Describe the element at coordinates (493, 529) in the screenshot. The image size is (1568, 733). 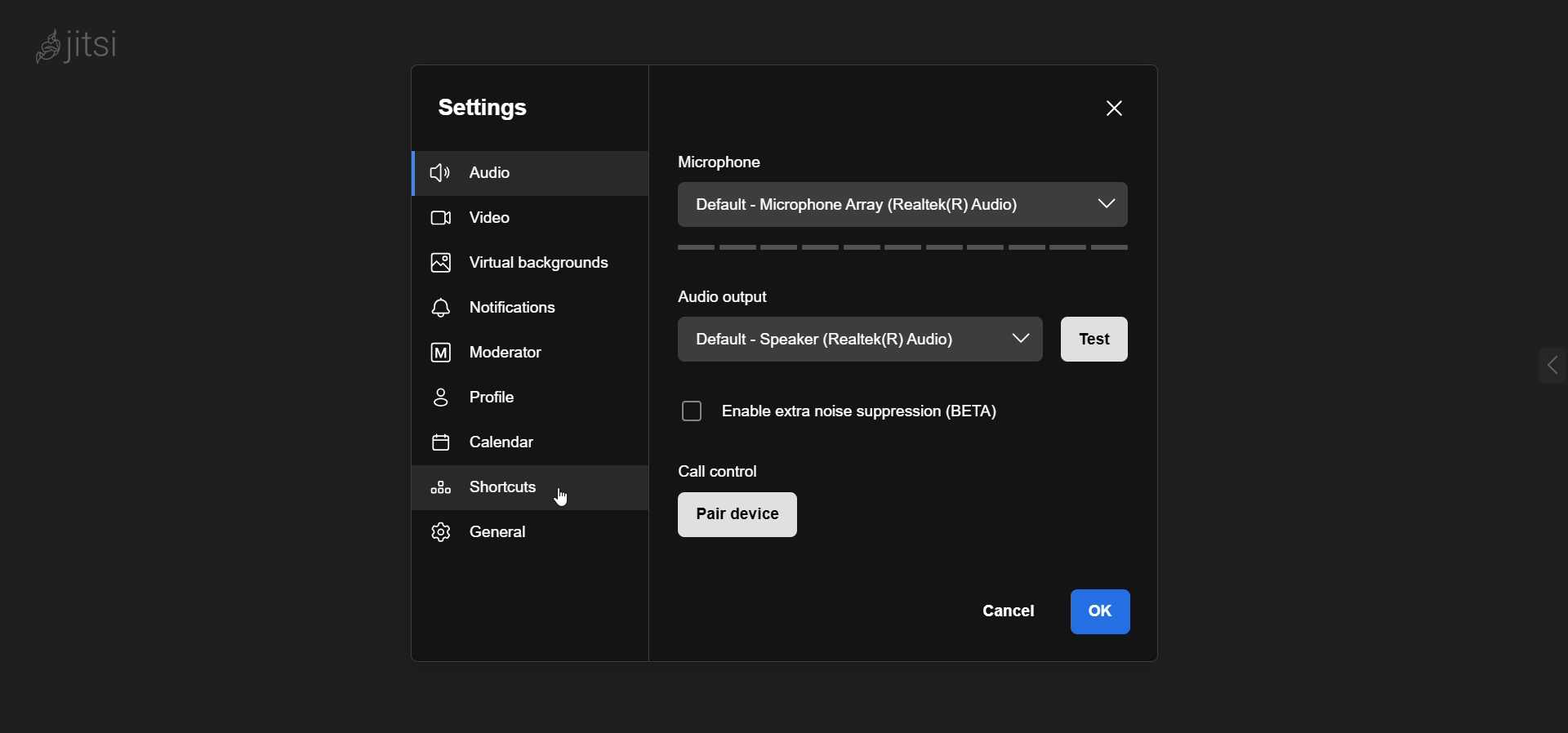
I see `general` at that location.